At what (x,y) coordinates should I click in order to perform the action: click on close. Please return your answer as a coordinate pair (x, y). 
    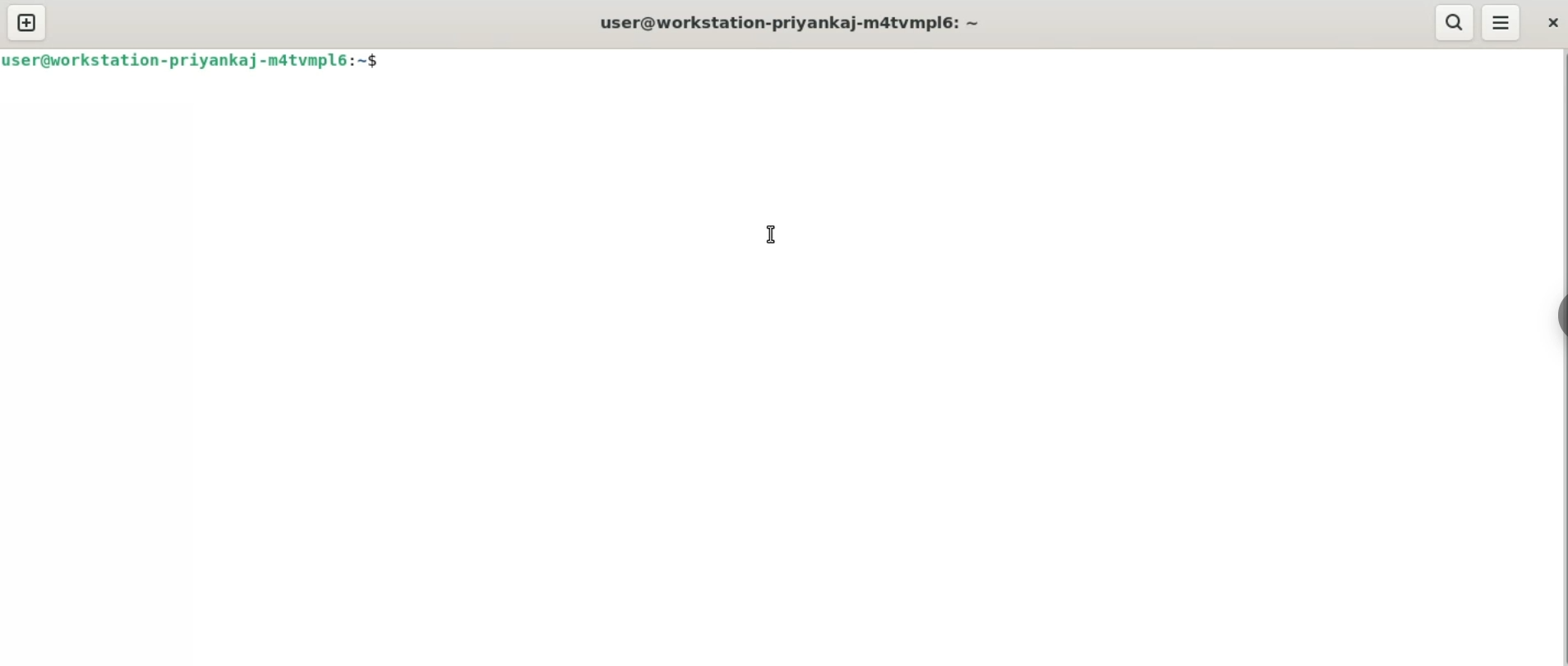
    Looking at the image, I should click on (1554, 25).